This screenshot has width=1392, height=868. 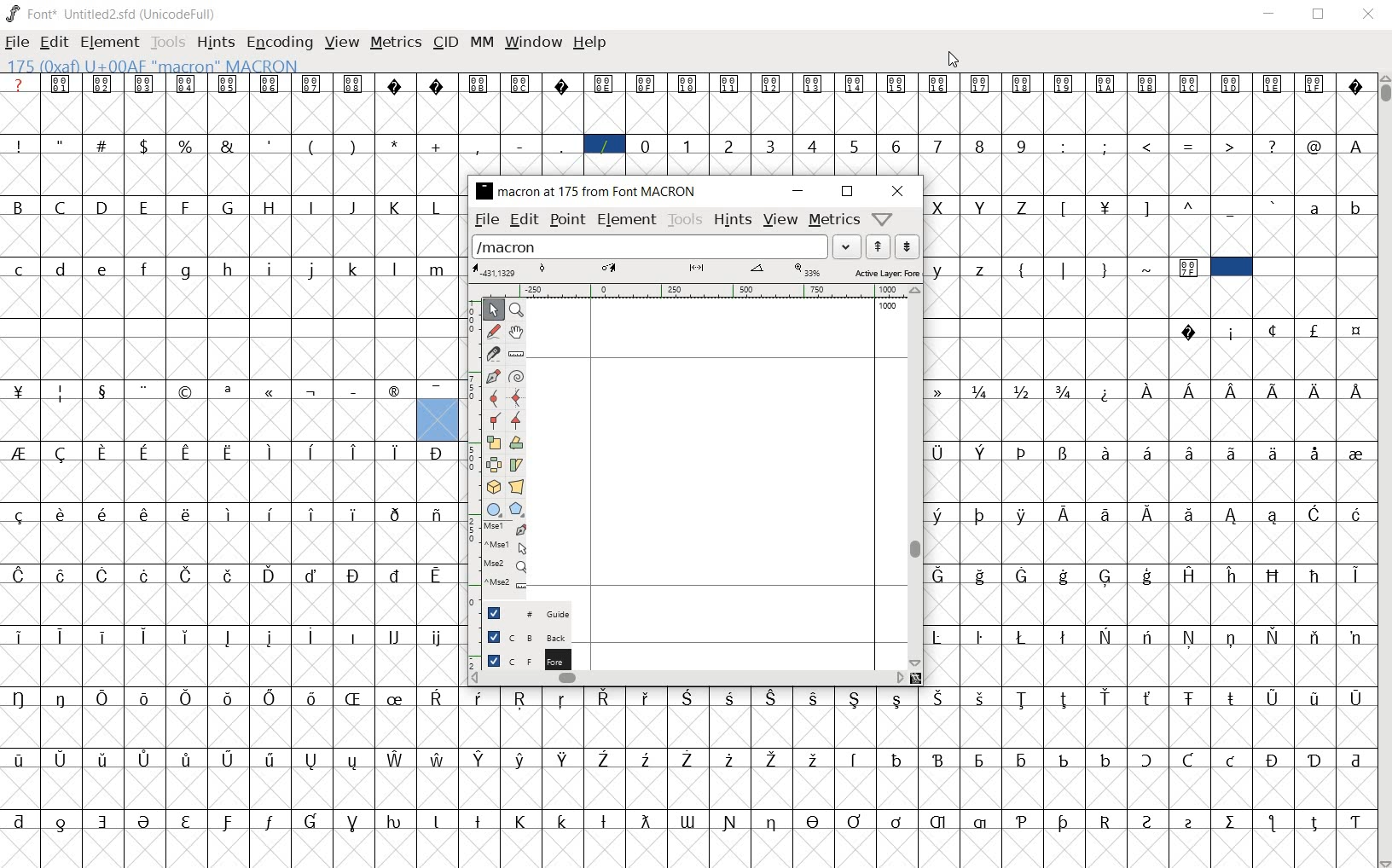 What do you see at coordinates (20, 391) in the screenshot?
I see `Symbol` at bounding box center [20, 391].